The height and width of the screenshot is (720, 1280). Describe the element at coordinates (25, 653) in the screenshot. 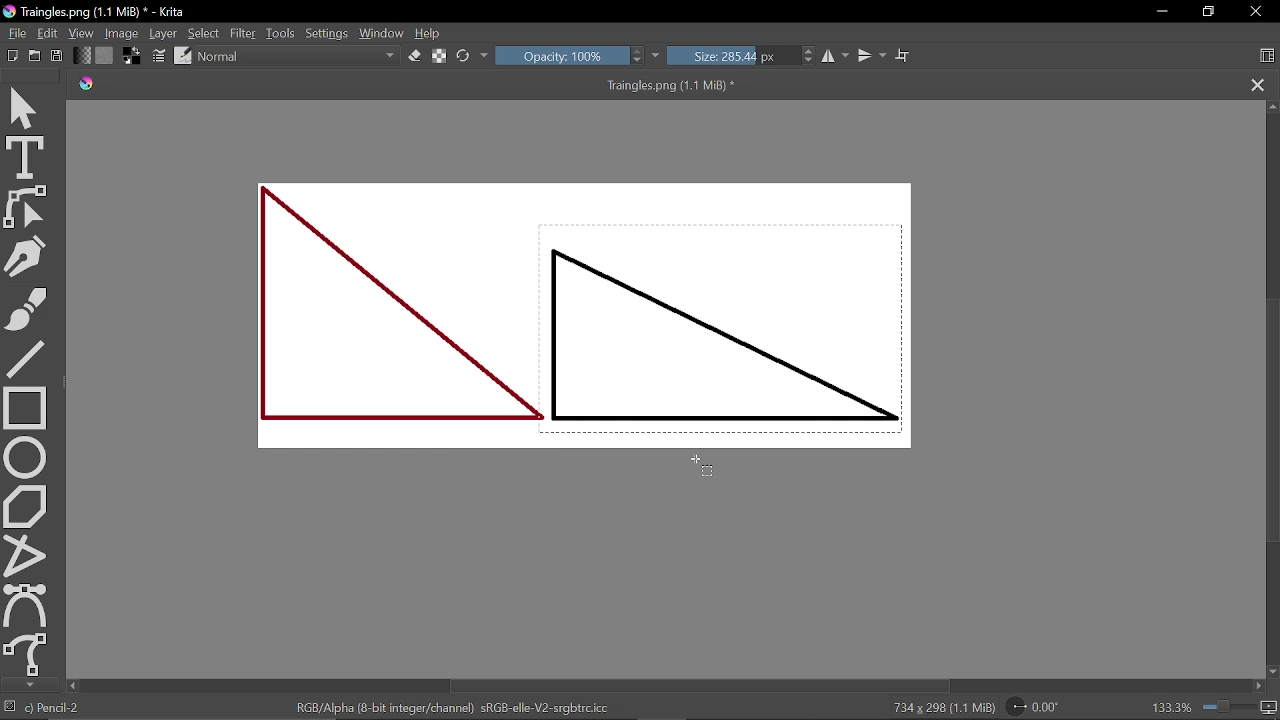

I see `Freehand path tool` at that location.